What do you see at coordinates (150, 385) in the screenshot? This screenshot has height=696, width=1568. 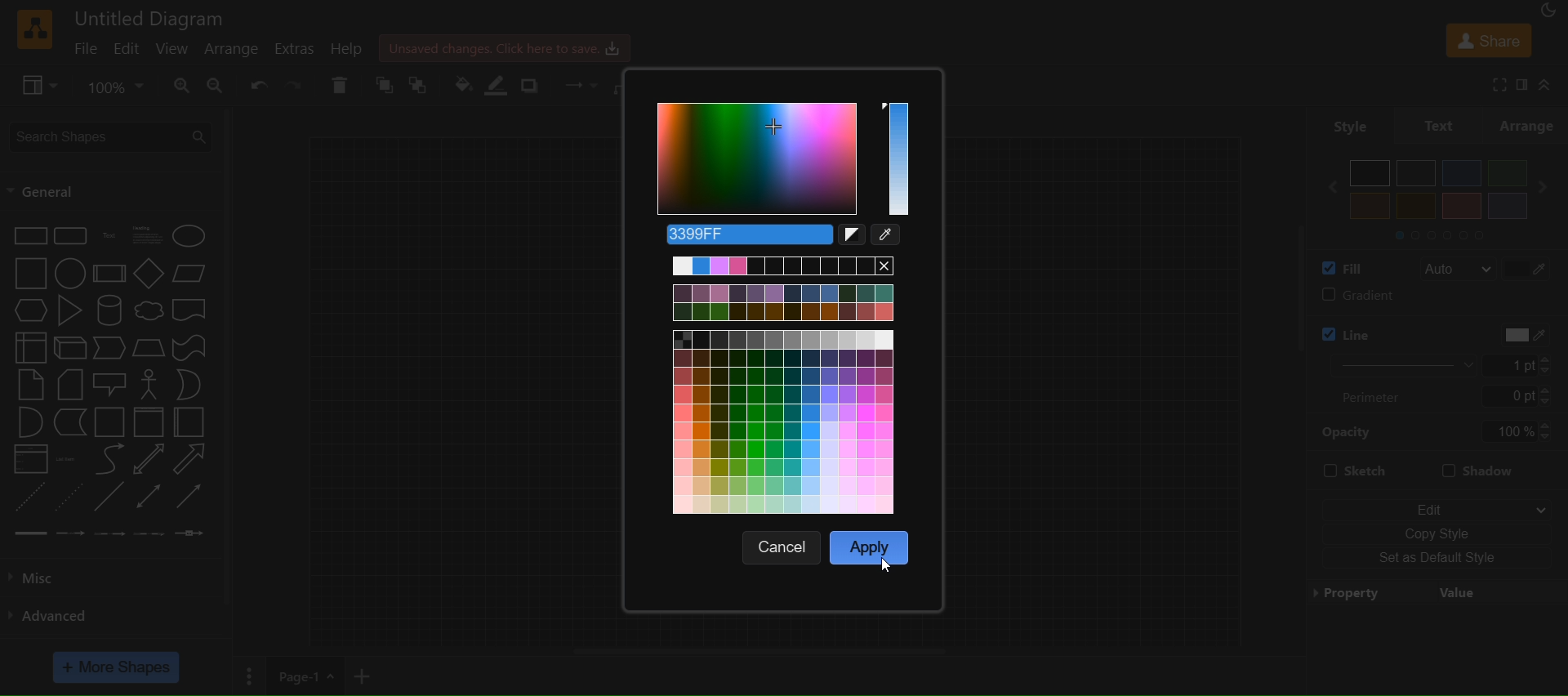 I see `actor` at bounding box center [150, 385].